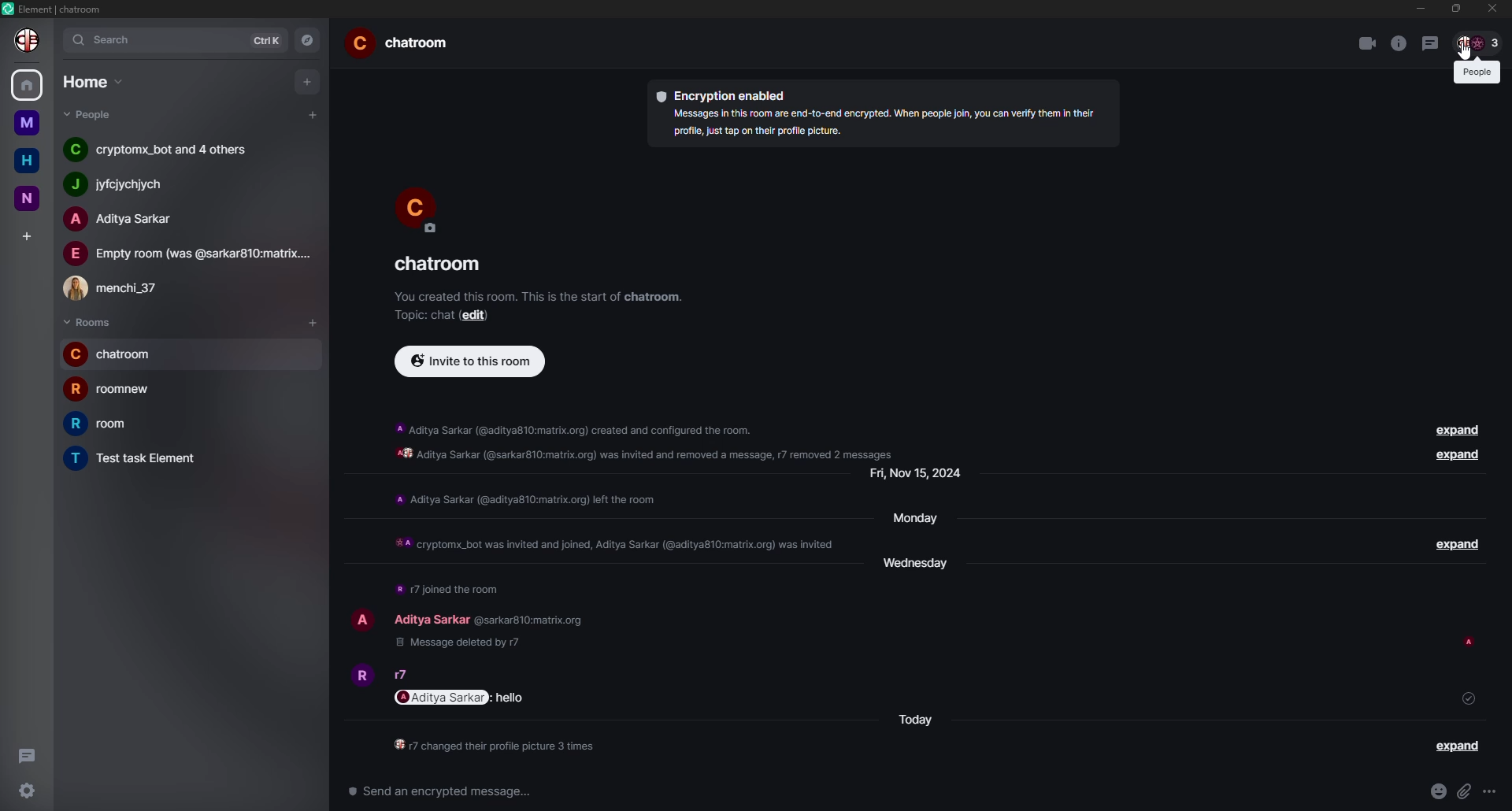 The image size is (1512, 811). Describe the element at coordinates (1457, 8) in the screenshot. I see `max` at that location.